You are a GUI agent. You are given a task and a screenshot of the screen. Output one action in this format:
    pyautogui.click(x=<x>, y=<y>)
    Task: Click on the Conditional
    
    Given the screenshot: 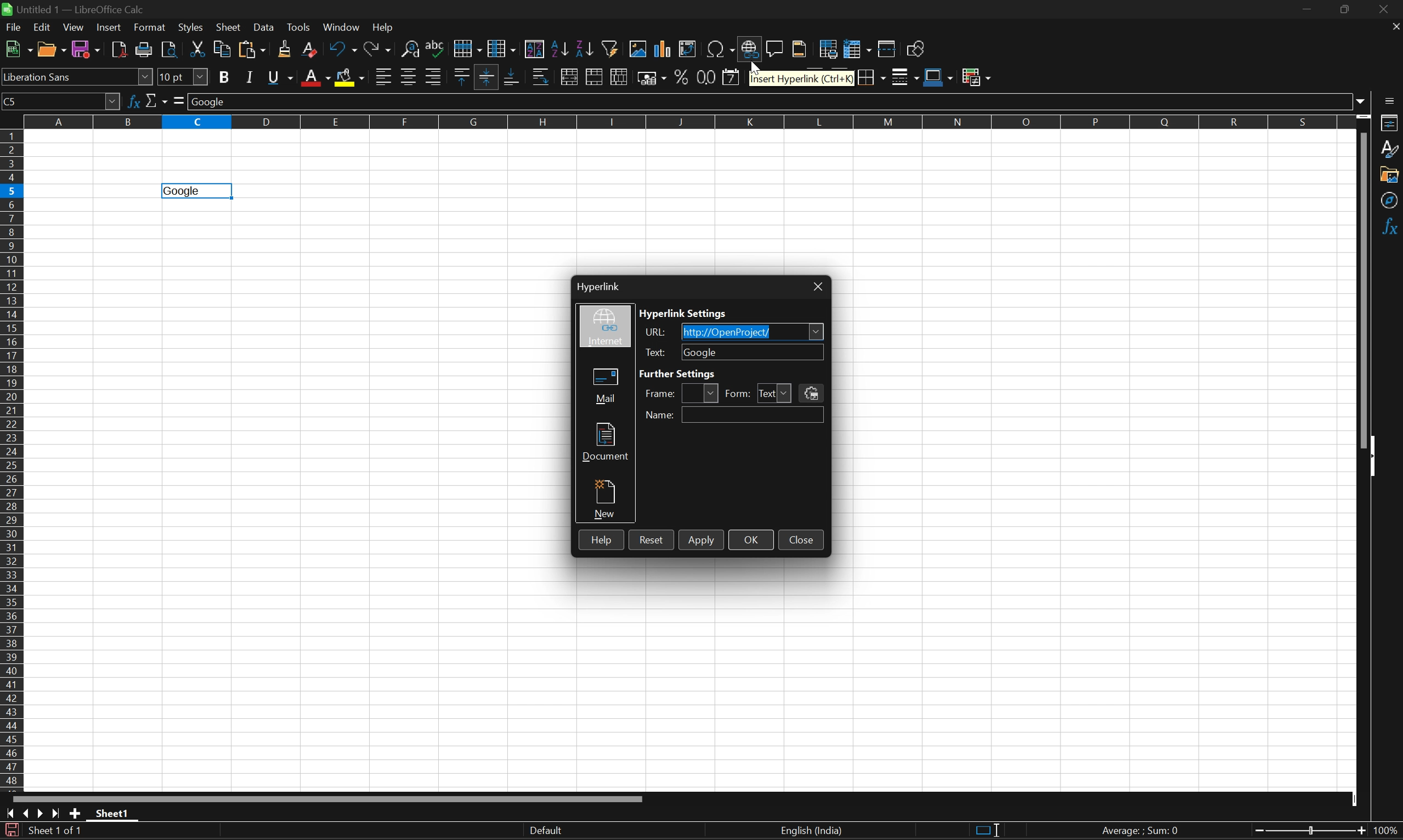 What is the action you would take?
    pyautogui.click(x=977, y=76)
    